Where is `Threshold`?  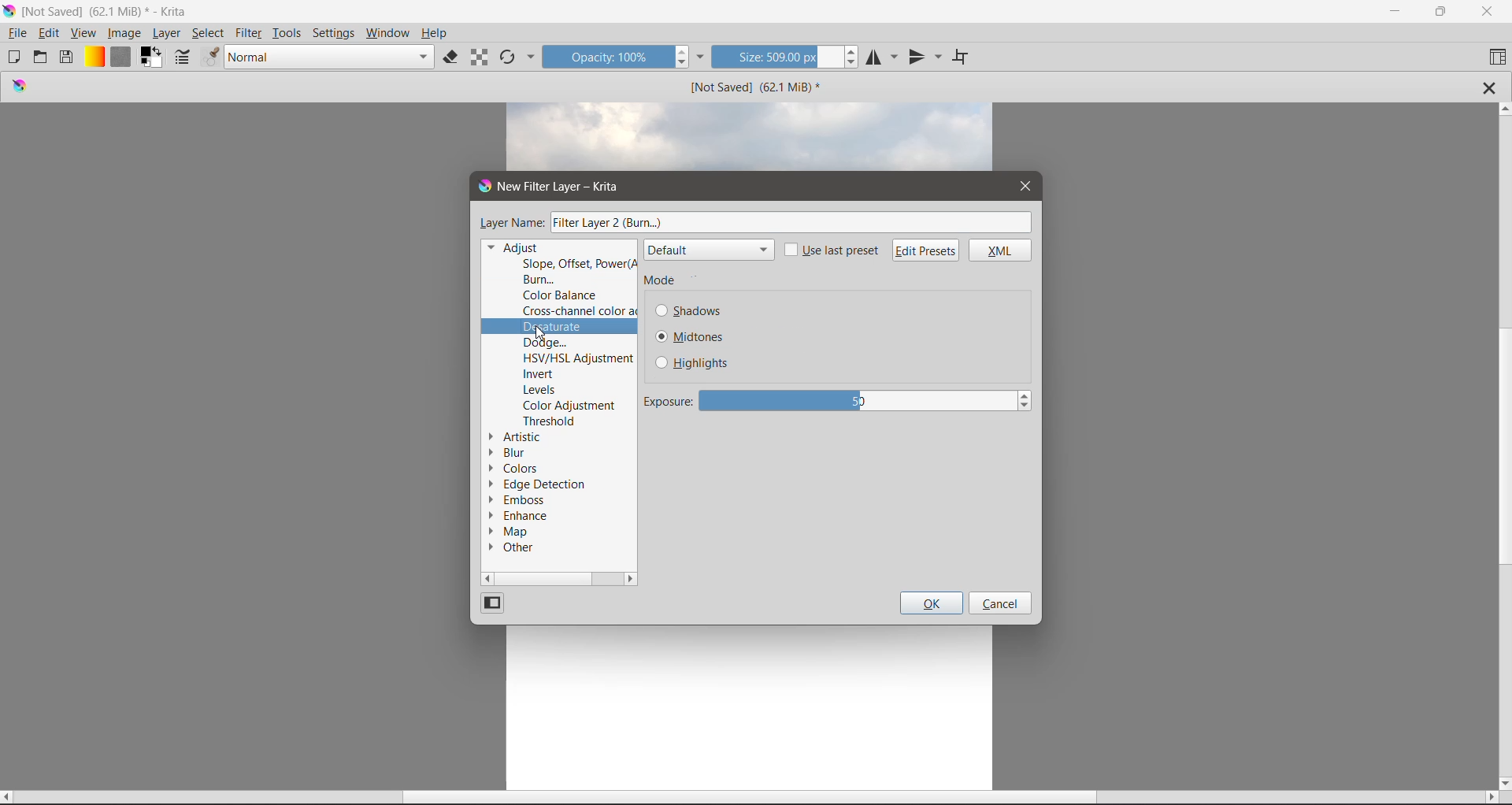 Threshold is located at coordinates (554, 421).